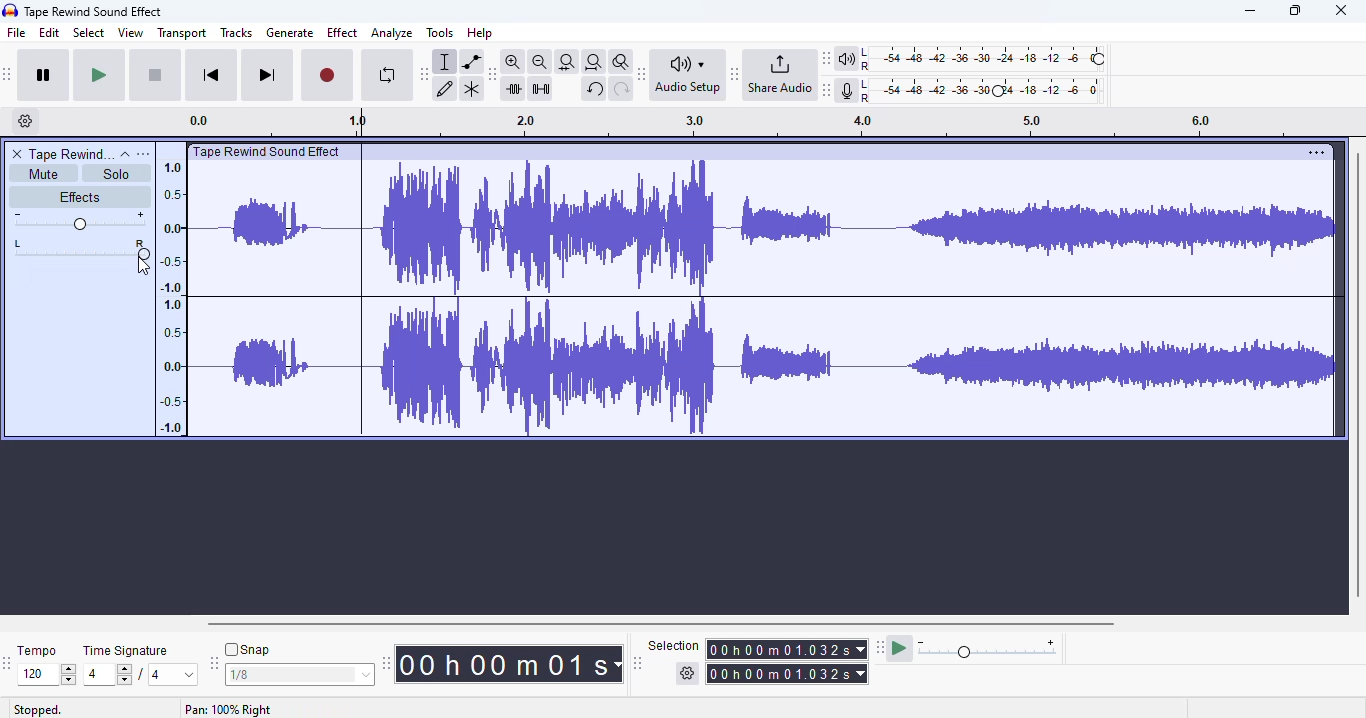  What do you see at coordinates (445, 62) in the screenshot?
I see `selection tool` at bounding box center [445, 62].